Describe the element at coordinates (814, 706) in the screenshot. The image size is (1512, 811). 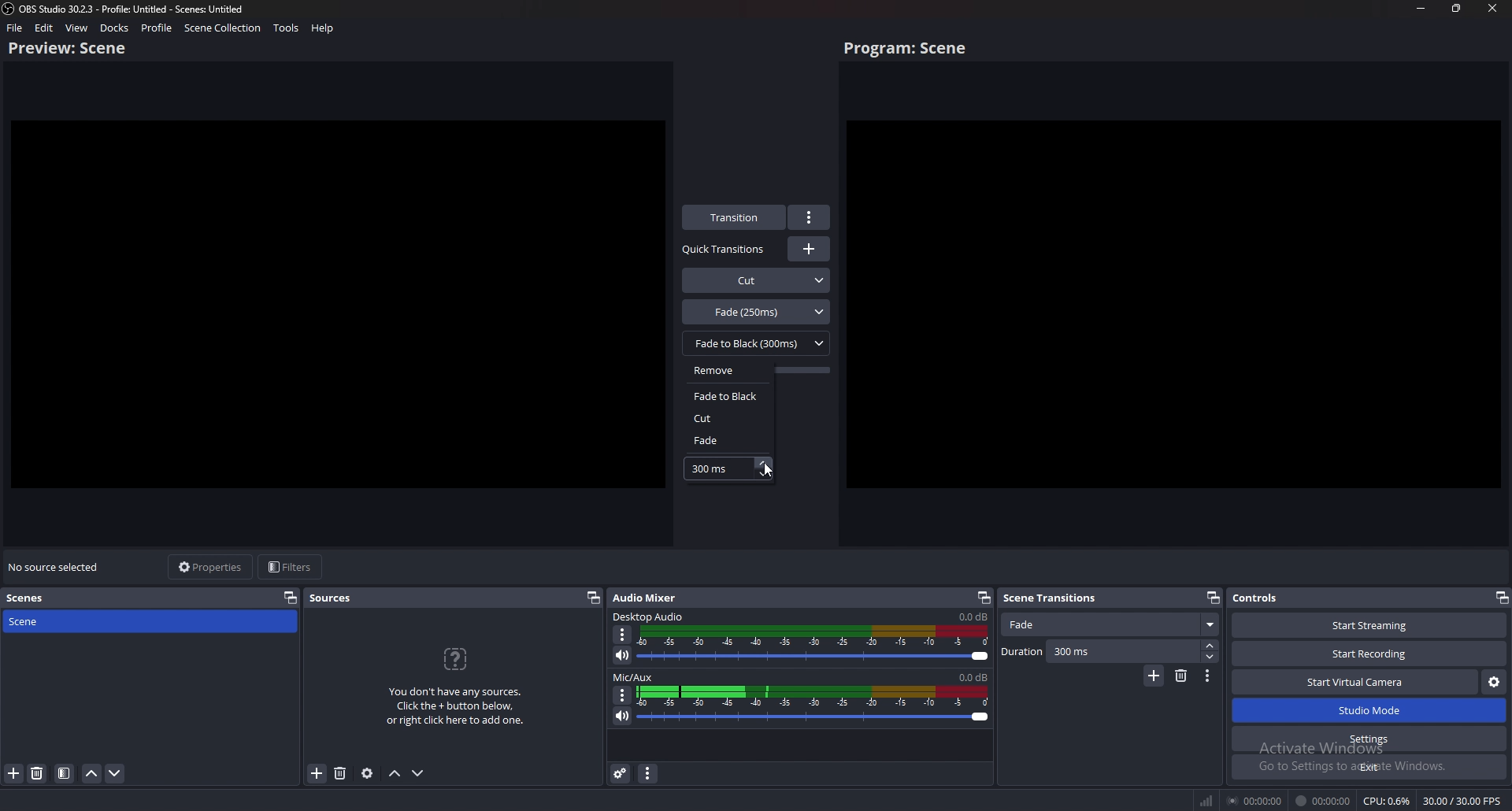
I see `mic/aux sound bar` at that location.